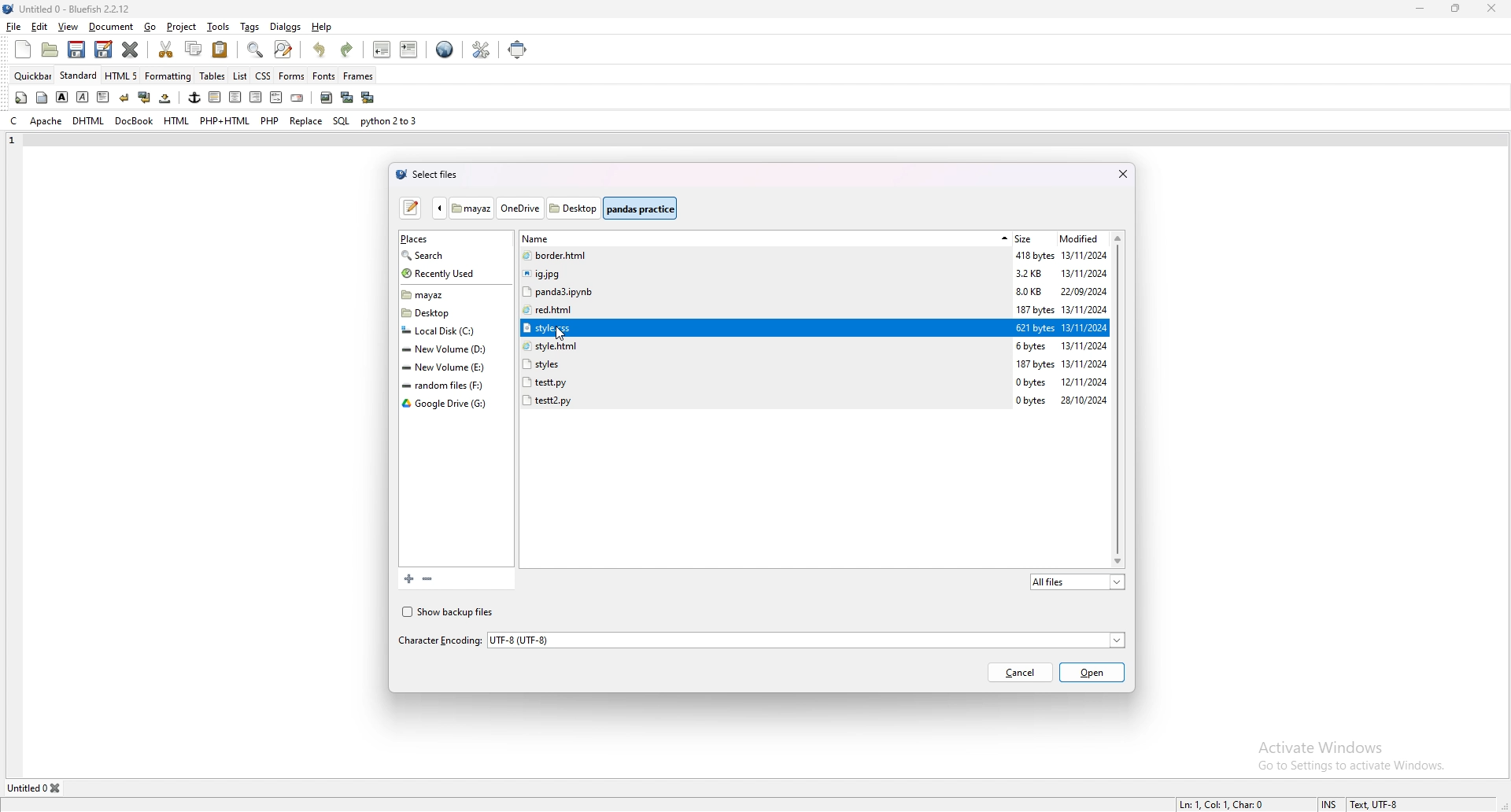 The image size is (1511, 812). What do you see at coordinates (405, 578) in the screenshot?
I see `add` at bounding box center [405, 578].